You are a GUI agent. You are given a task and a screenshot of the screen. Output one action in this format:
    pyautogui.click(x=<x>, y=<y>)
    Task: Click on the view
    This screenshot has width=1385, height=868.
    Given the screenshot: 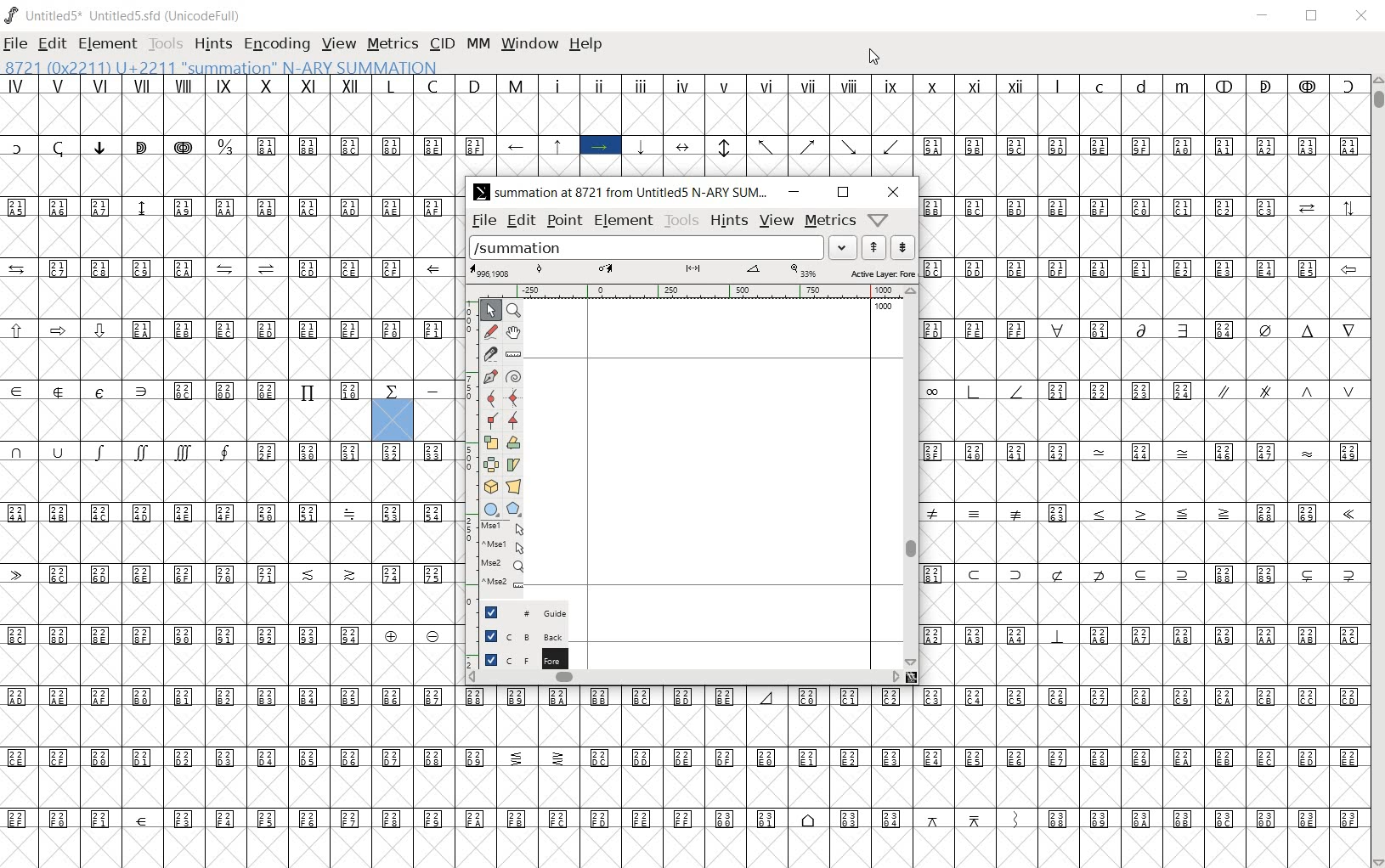 What is the action you would take?
    pyautogui.click(x=776, y=219)
    